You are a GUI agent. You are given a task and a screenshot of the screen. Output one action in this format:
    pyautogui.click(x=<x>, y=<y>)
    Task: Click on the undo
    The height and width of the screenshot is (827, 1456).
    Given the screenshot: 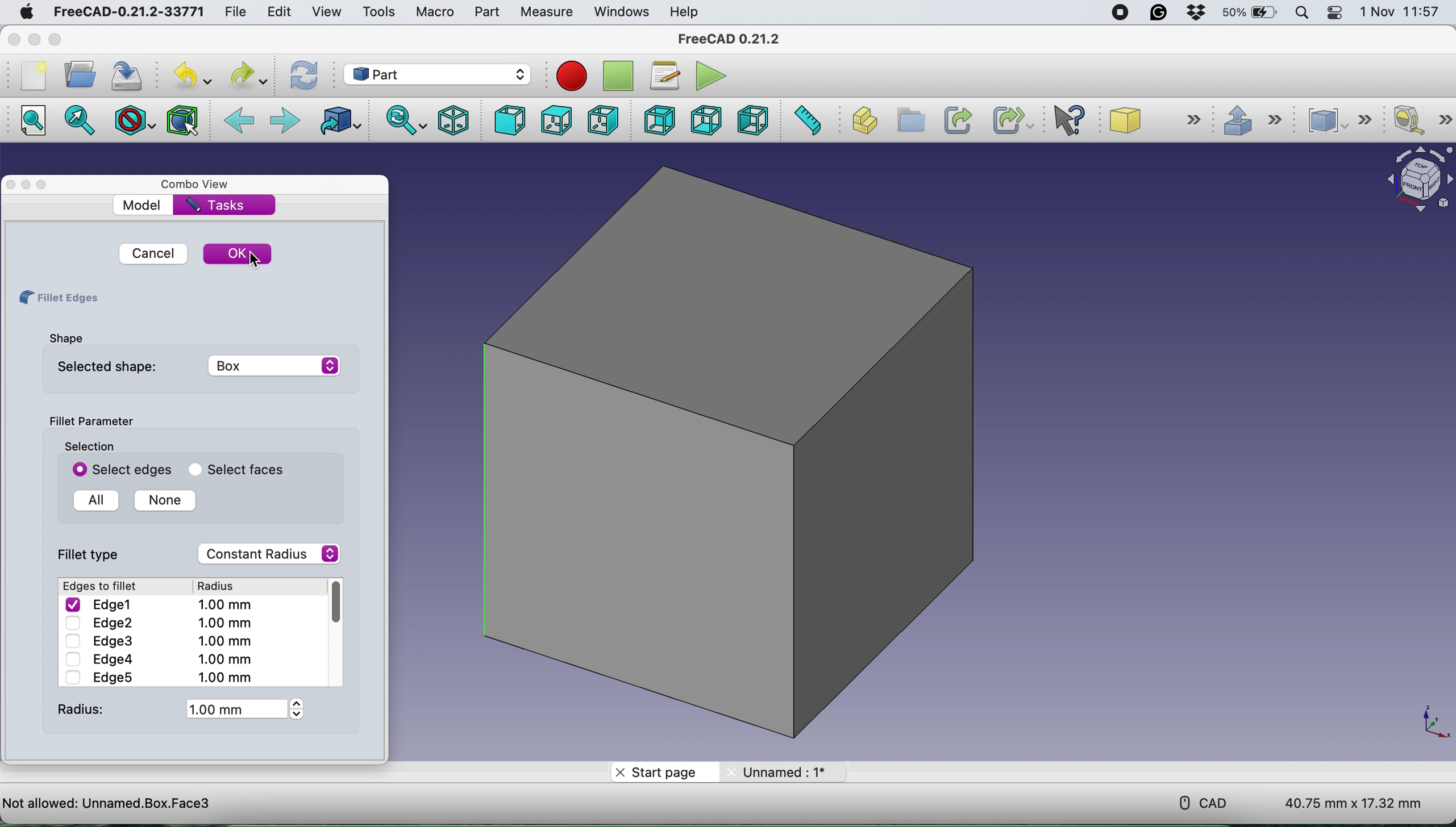 What is the action you would take?
    pyautogui.click(x=192, y=75)
    